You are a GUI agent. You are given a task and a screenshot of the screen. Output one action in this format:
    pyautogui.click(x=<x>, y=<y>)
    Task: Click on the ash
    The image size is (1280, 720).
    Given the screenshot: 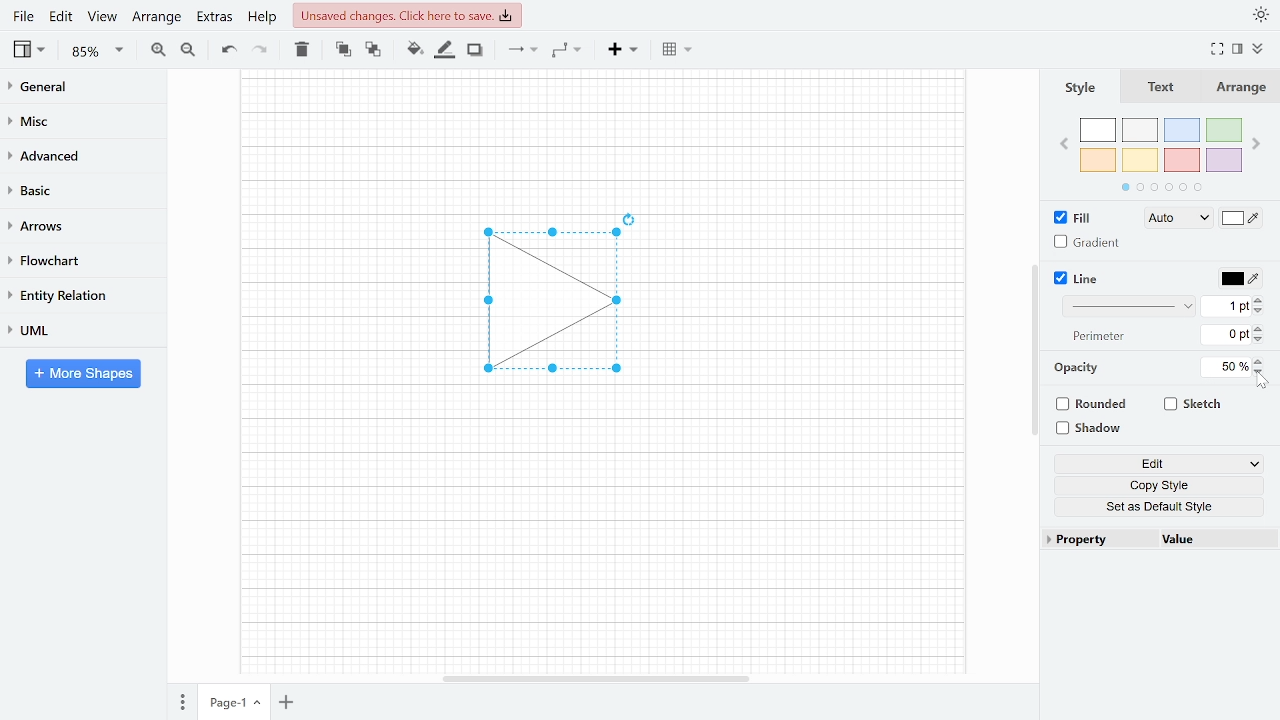 What is the action you would take?
    pyautogui.click(x=1142, y=131)
    